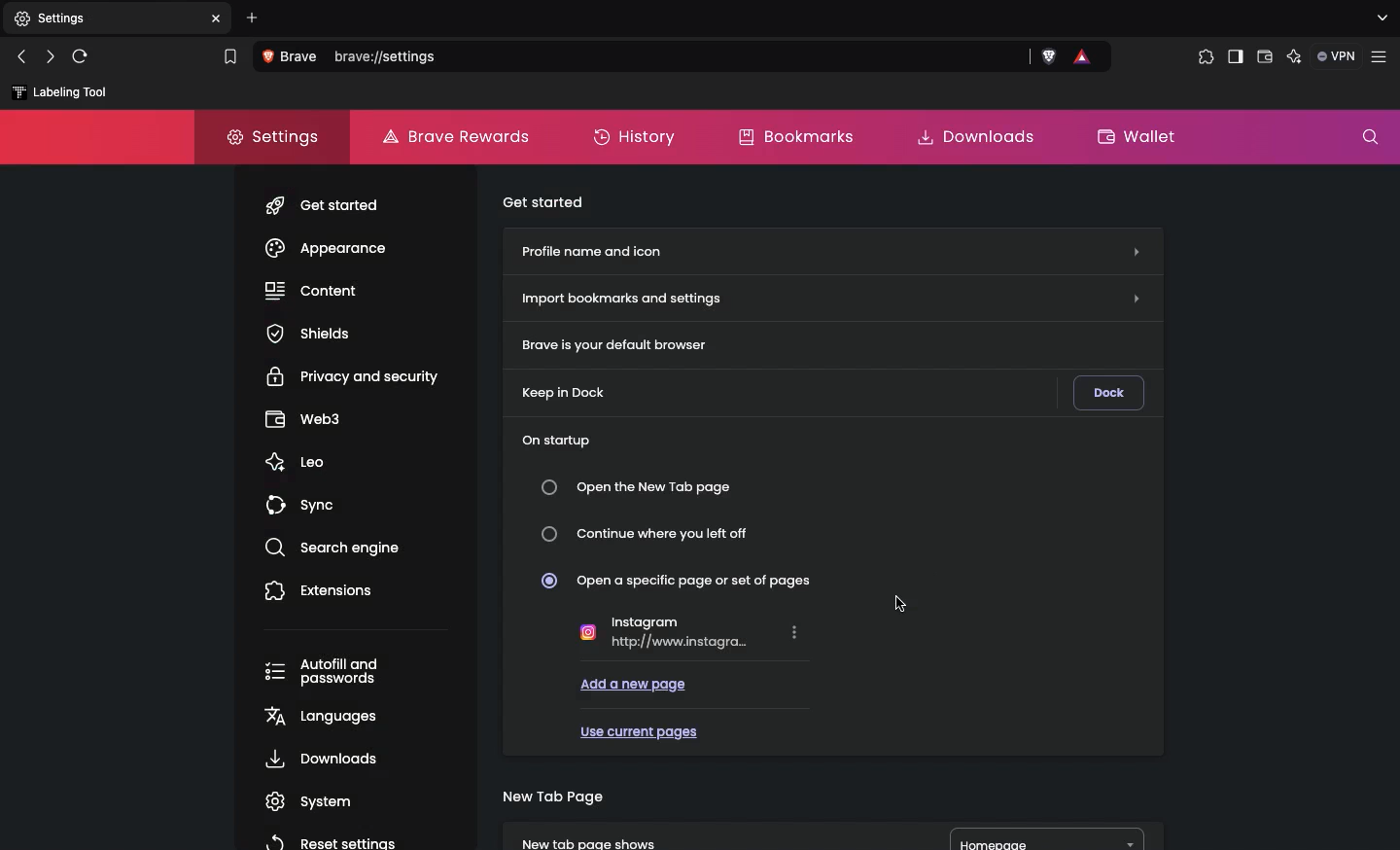  Describe the element at coordinates (1234, 58) in the screenshot. I see `Sidebar` at that location.